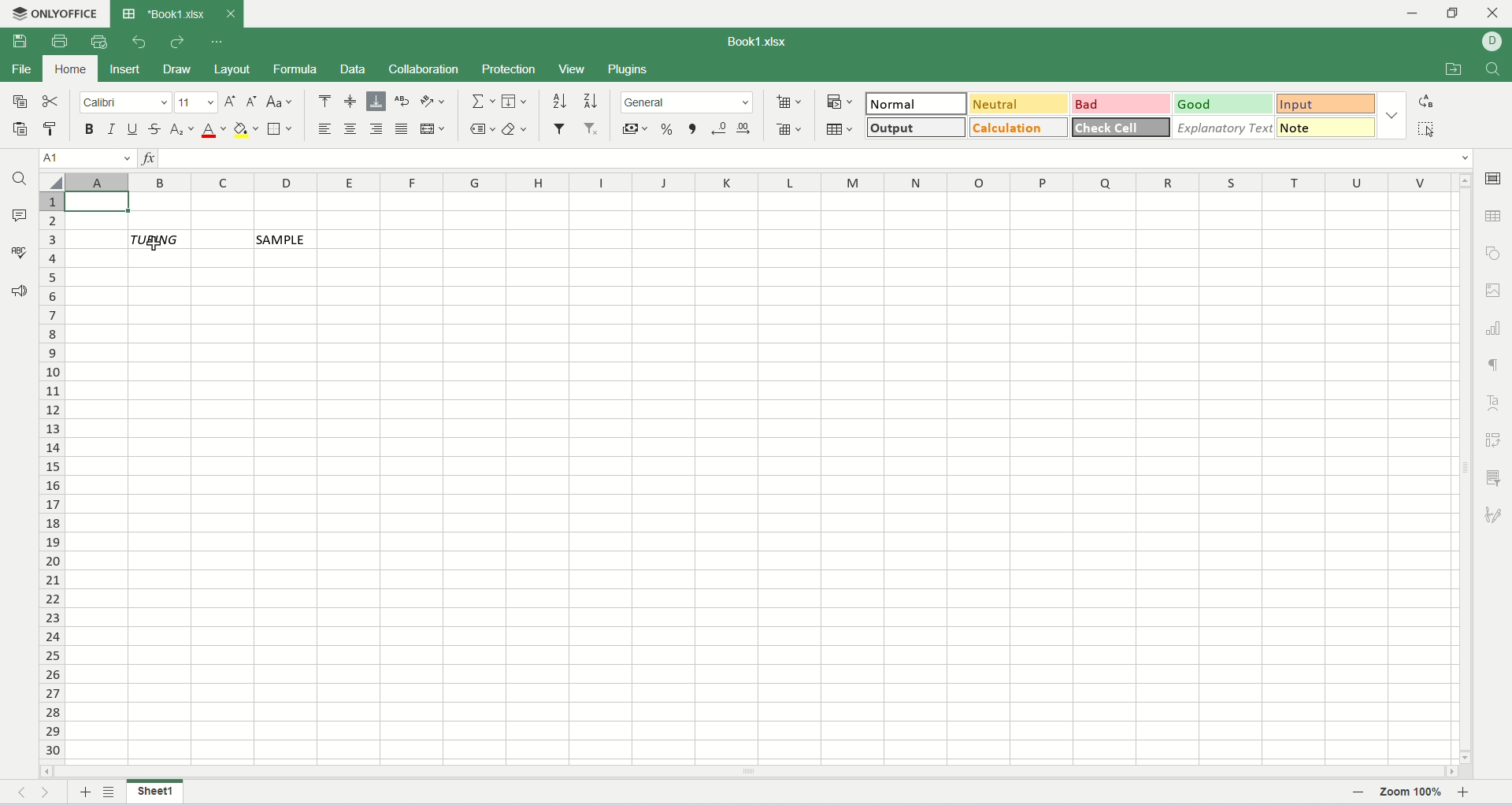 The image size is (1512, 805). I want to click on formula, so click(297, 71).